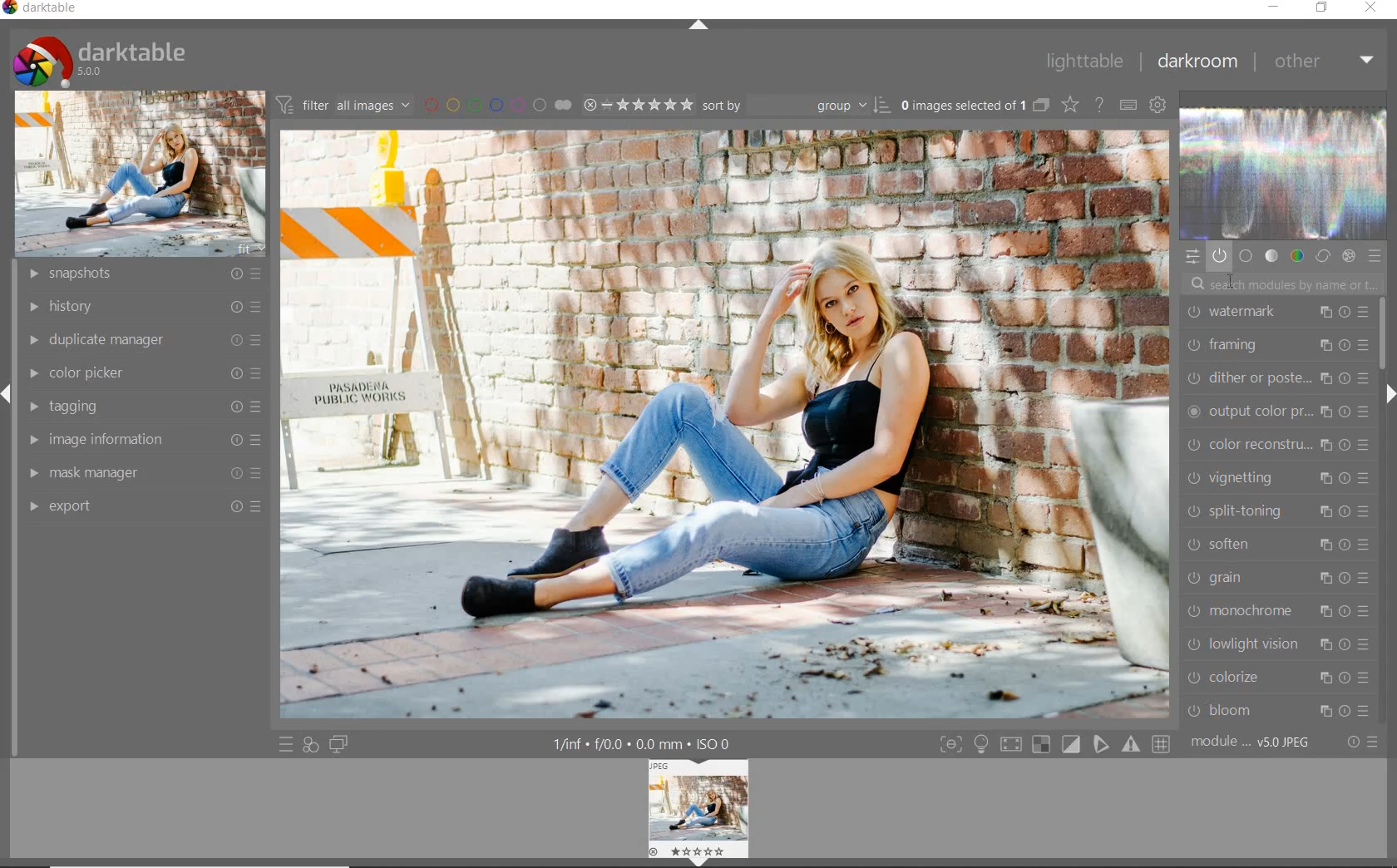  I want to click on quick access for applying any of your styles, so click(311, 745).